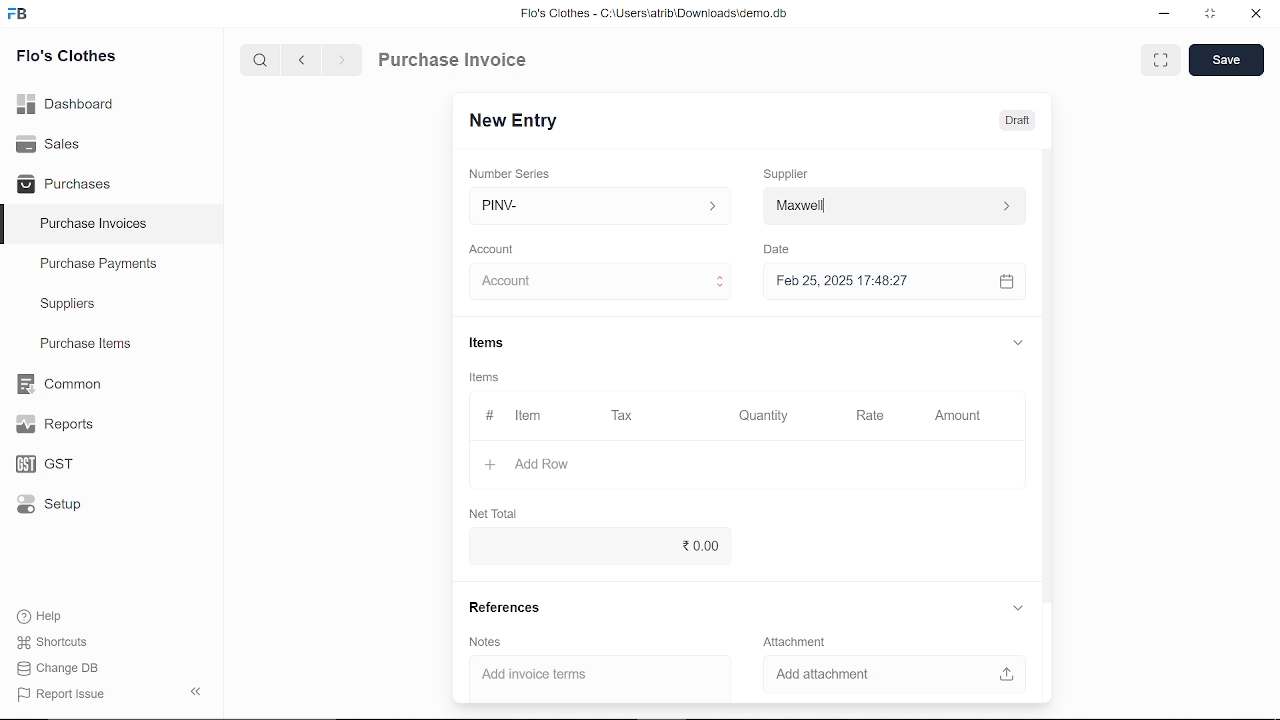 The image size is (1280, 720). What do you see at coordinates (514, 416) in the screenshot?
I see `Item` at bounding box center [514, 416].